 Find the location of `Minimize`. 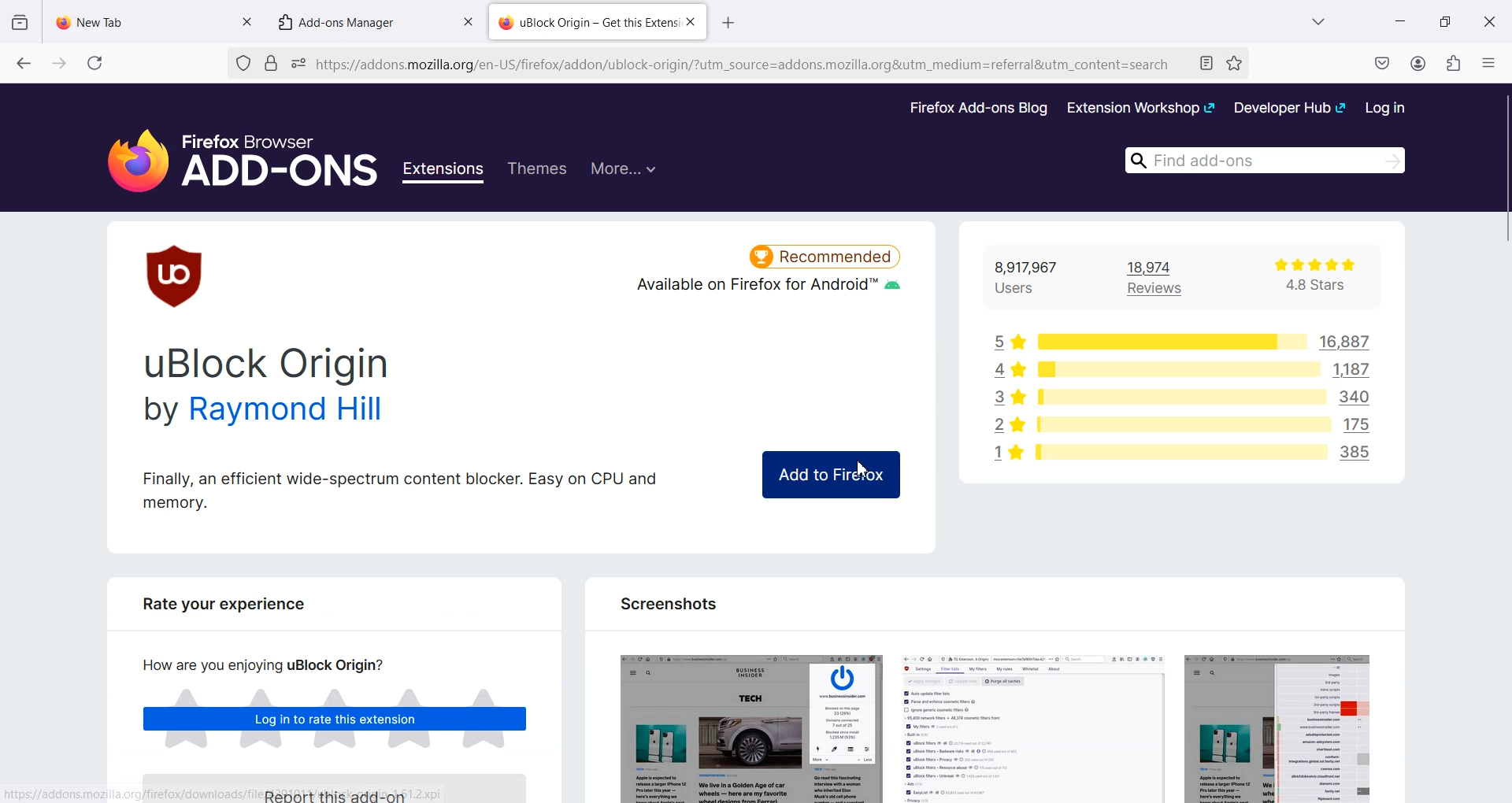

Minimize is located at coordinates (1400, 21).